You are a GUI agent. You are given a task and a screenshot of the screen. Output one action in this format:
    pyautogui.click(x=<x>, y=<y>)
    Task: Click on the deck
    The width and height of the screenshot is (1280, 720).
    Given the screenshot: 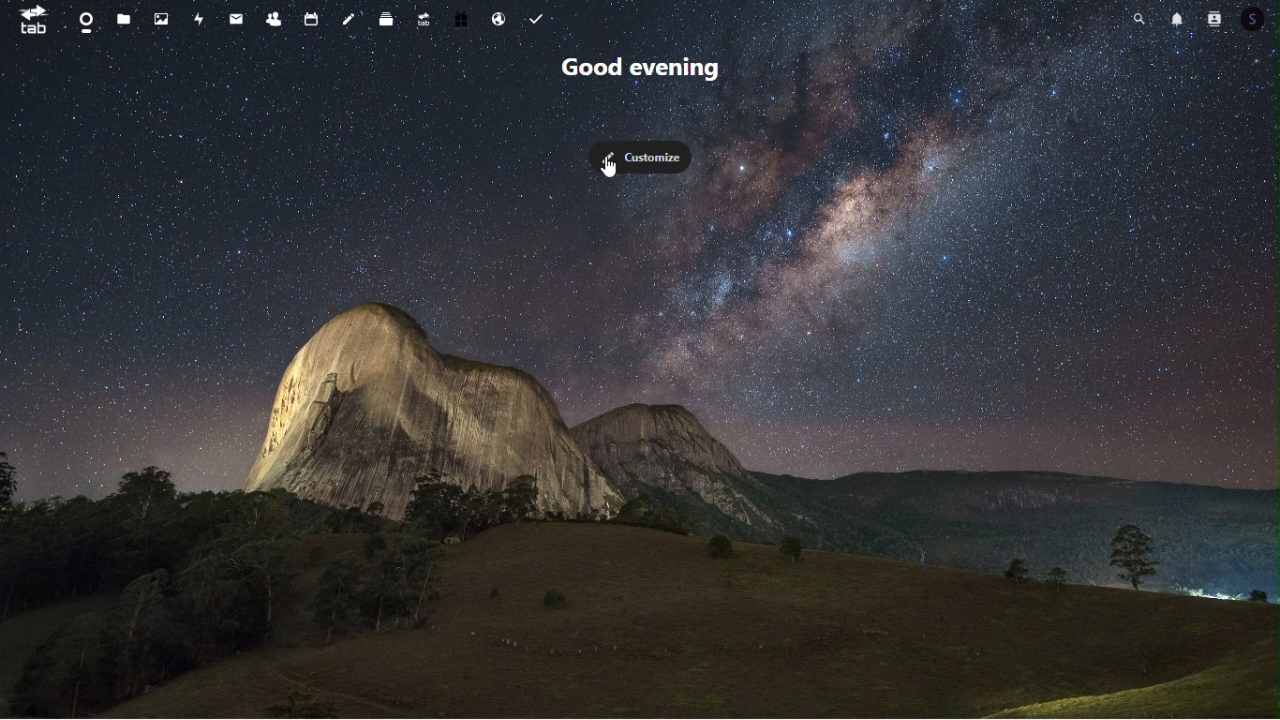 What is the action you would take?
    pyautogui.click(x=386, y=21)
    